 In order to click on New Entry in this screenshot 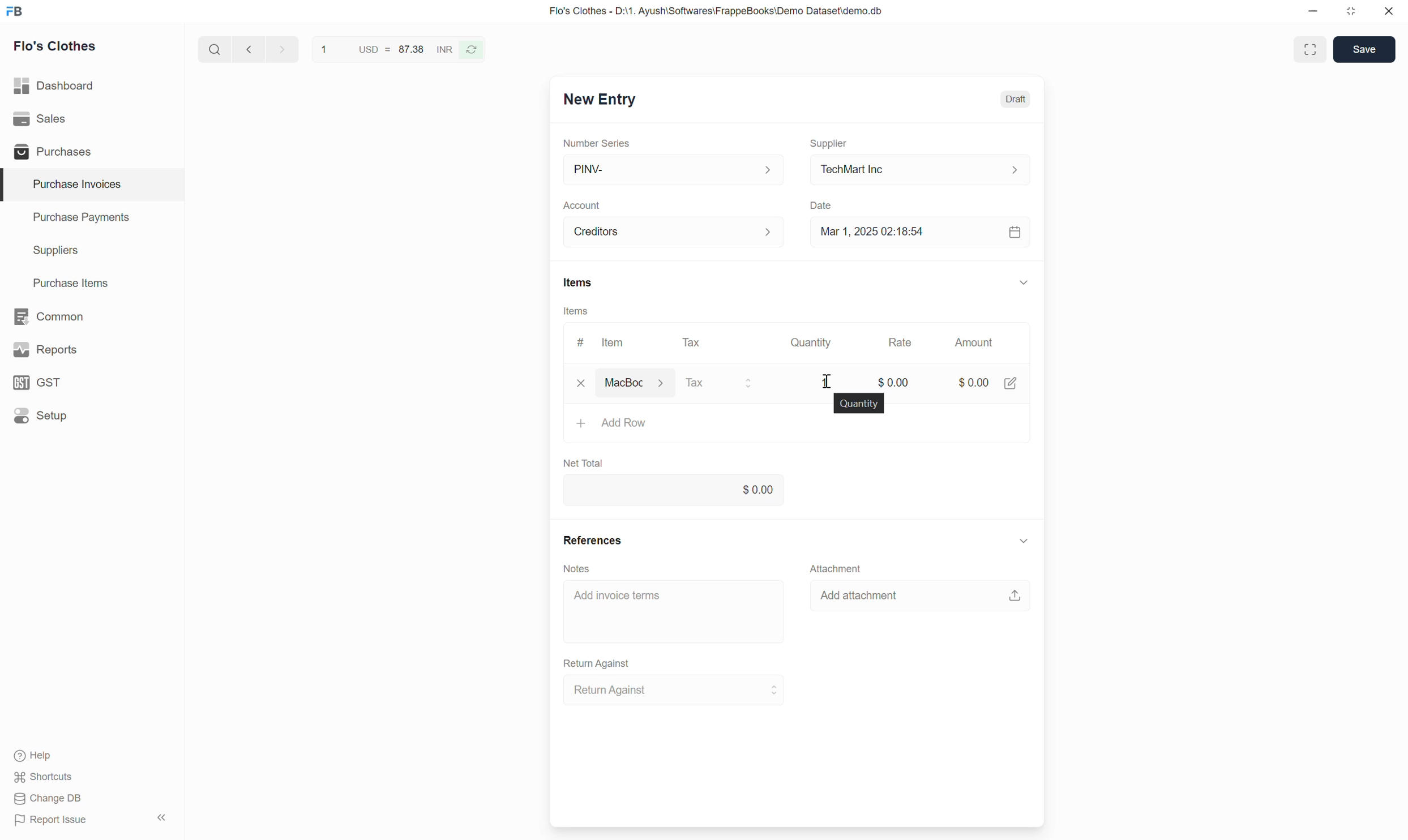, I will do `click(601, 100)`.